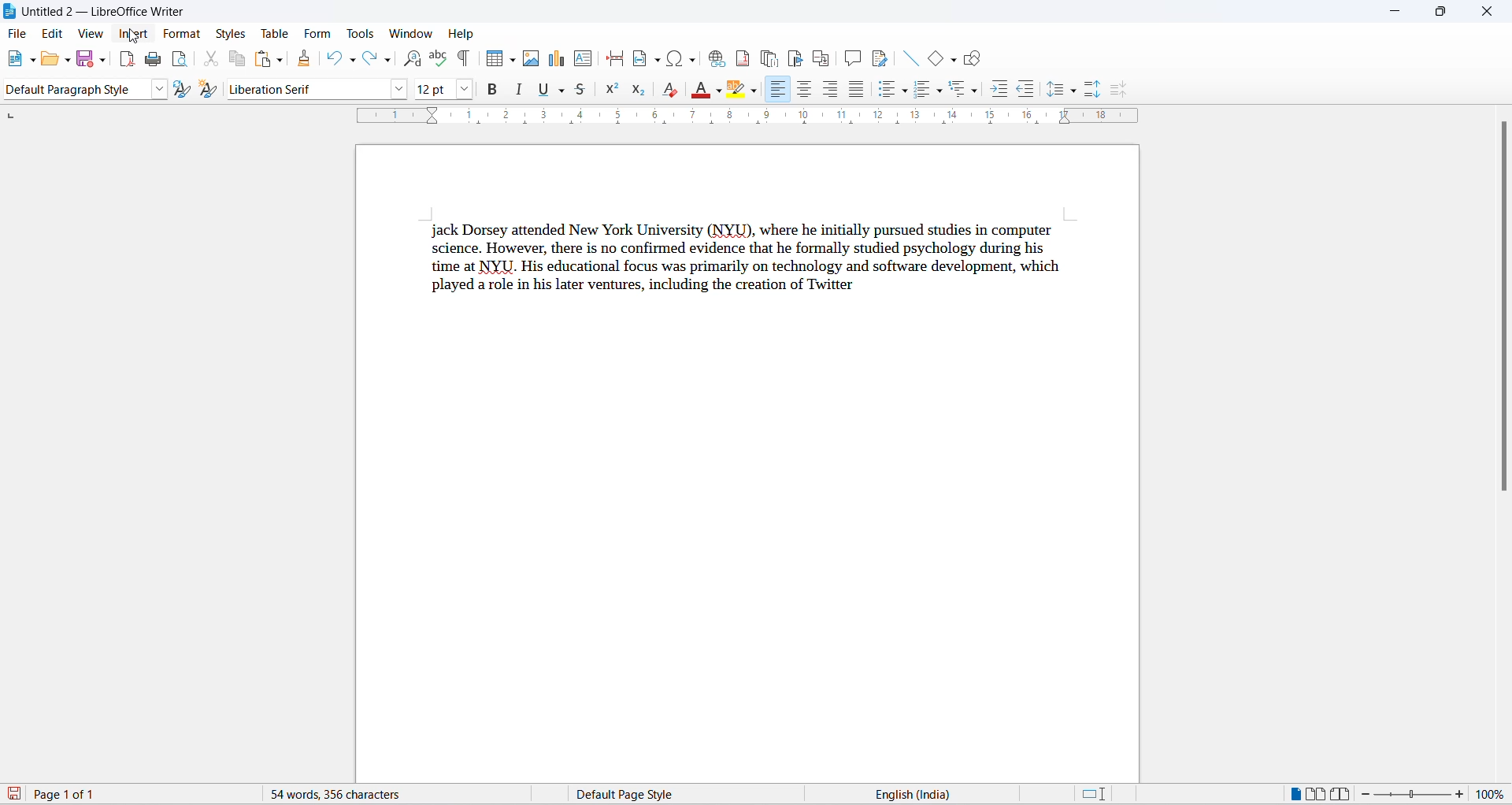 This screenshot has width=1512, height=805. What do you see at coordinates (54, 34) in the screenshot?
I see `edit` at bounding box center [54, 34].